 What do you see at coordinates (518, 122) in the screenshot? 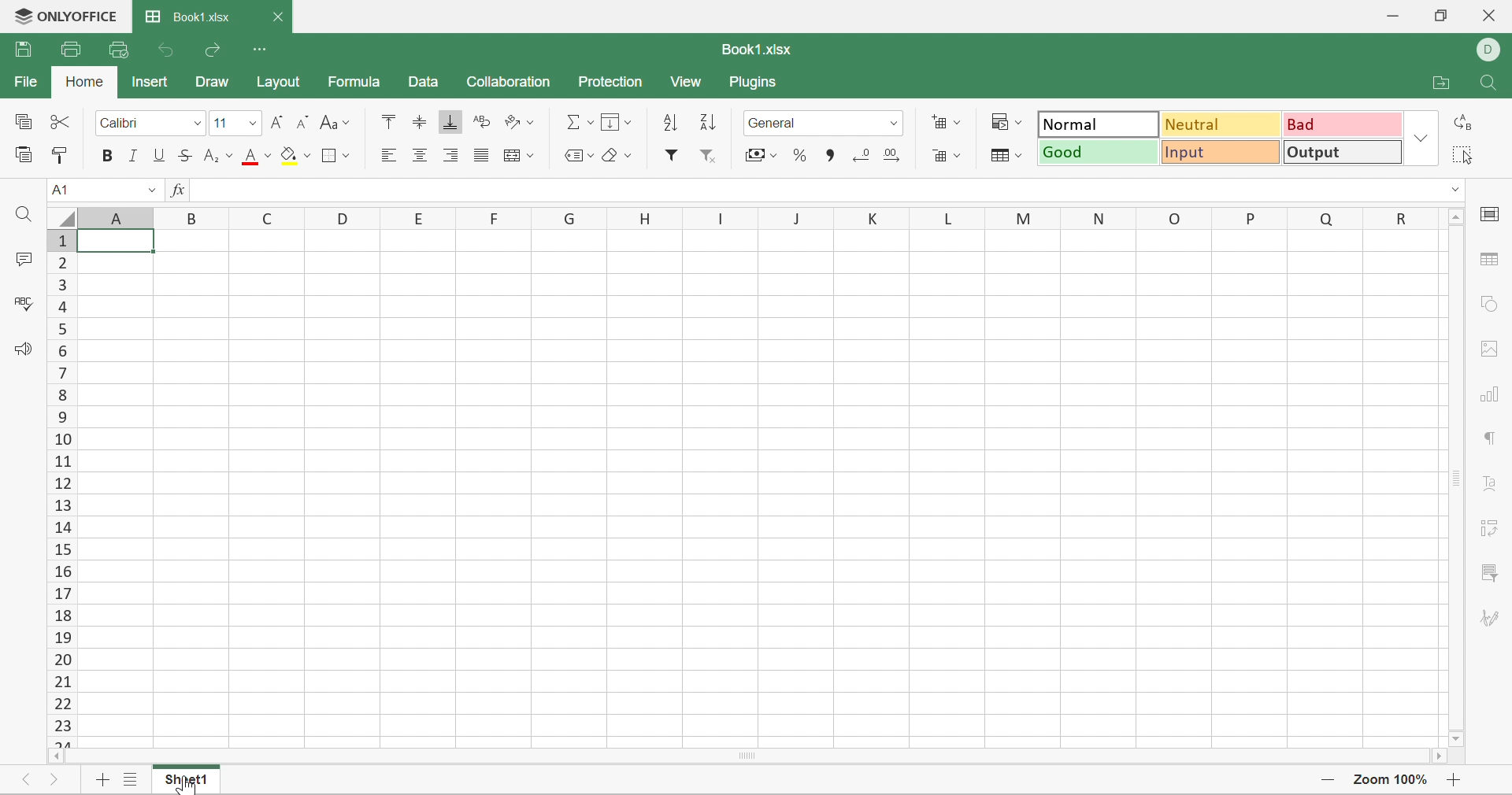
I see `Orientation` at bounding box center [518, 122].